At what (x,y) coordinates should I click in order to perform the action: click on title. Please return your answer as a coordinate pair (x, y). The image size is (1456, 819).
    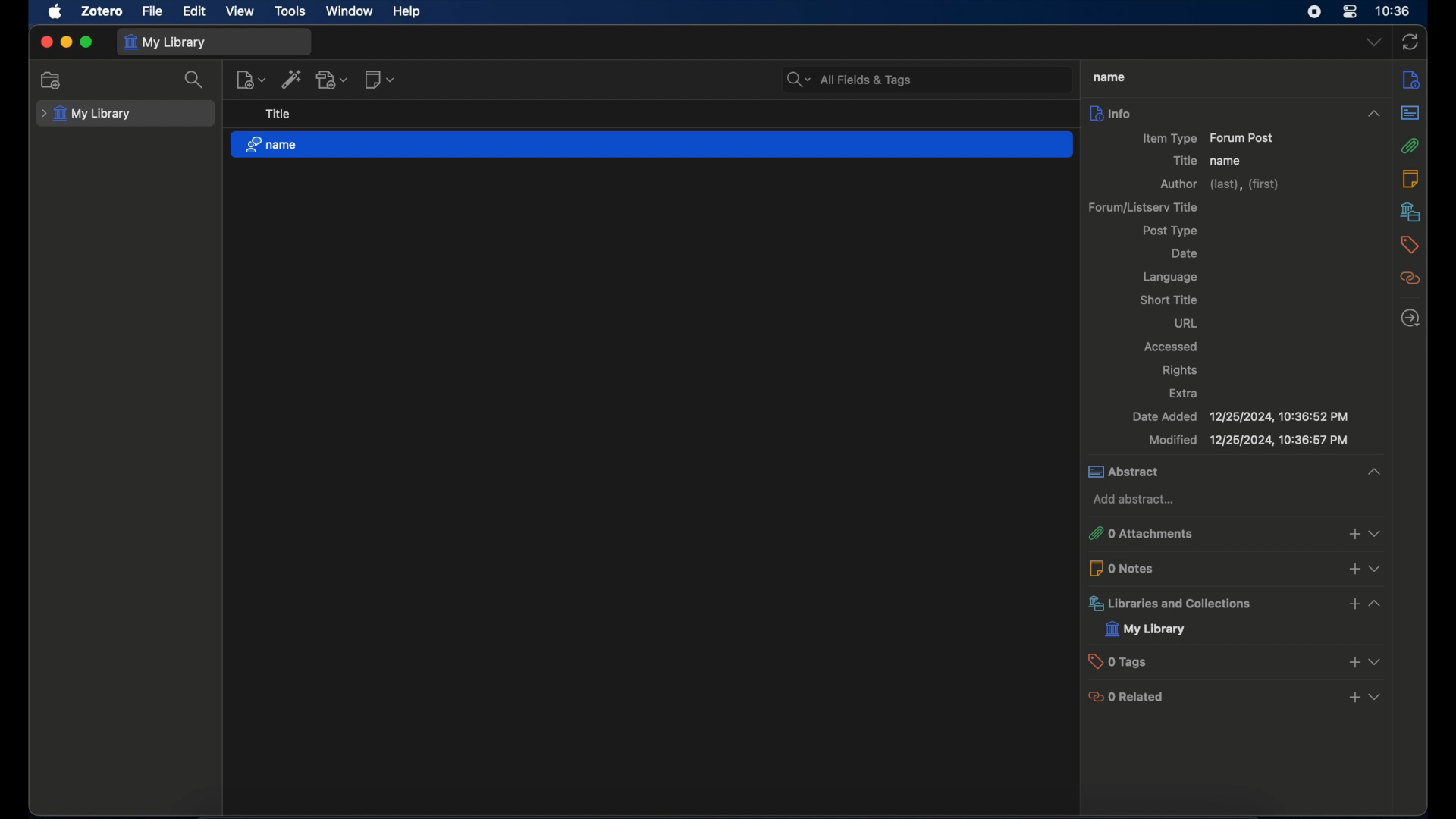
    Looking at the image, I should click on (1184, 161).